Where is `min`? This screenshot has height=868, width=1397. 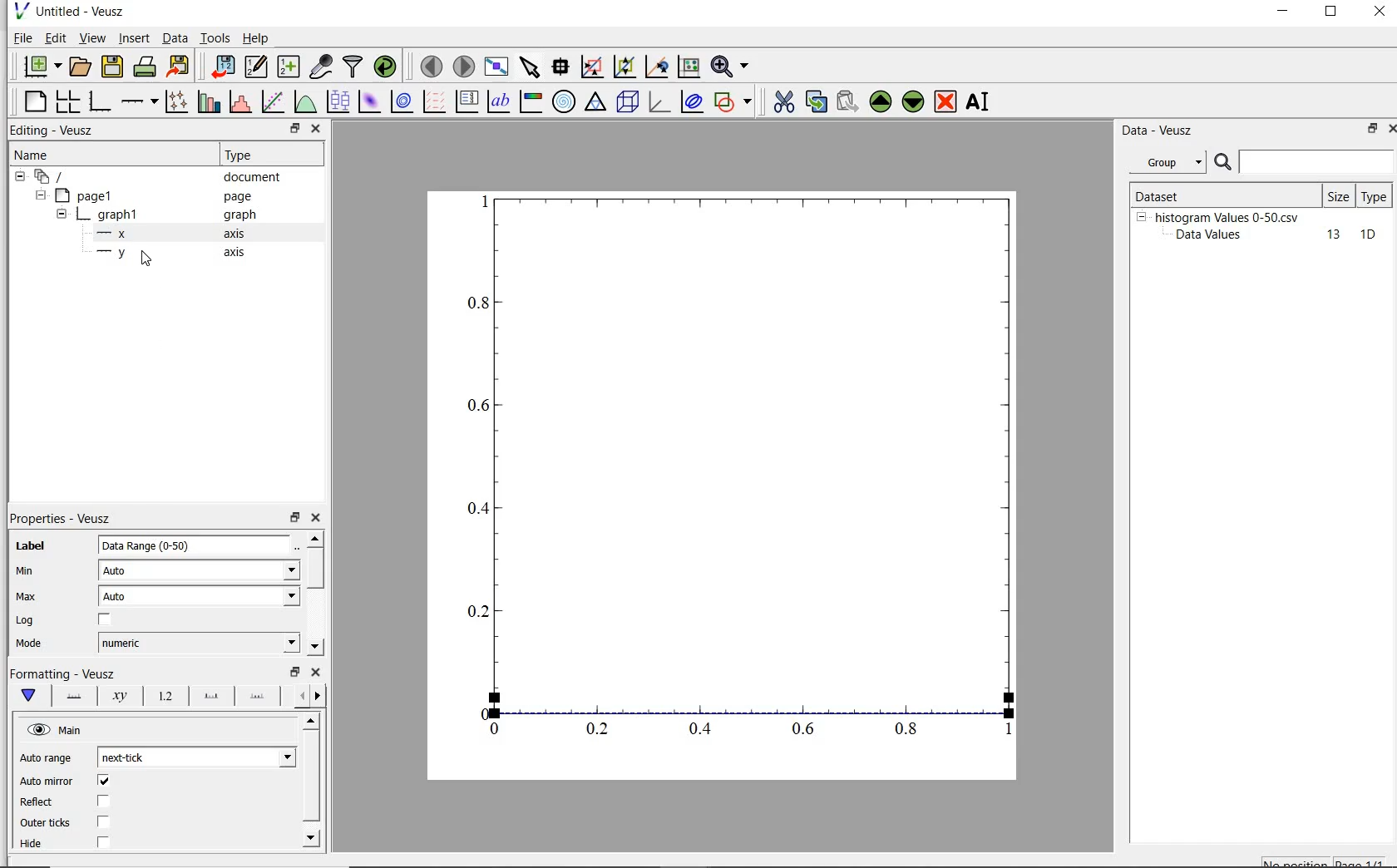 min is located at coordinates (30, 571).